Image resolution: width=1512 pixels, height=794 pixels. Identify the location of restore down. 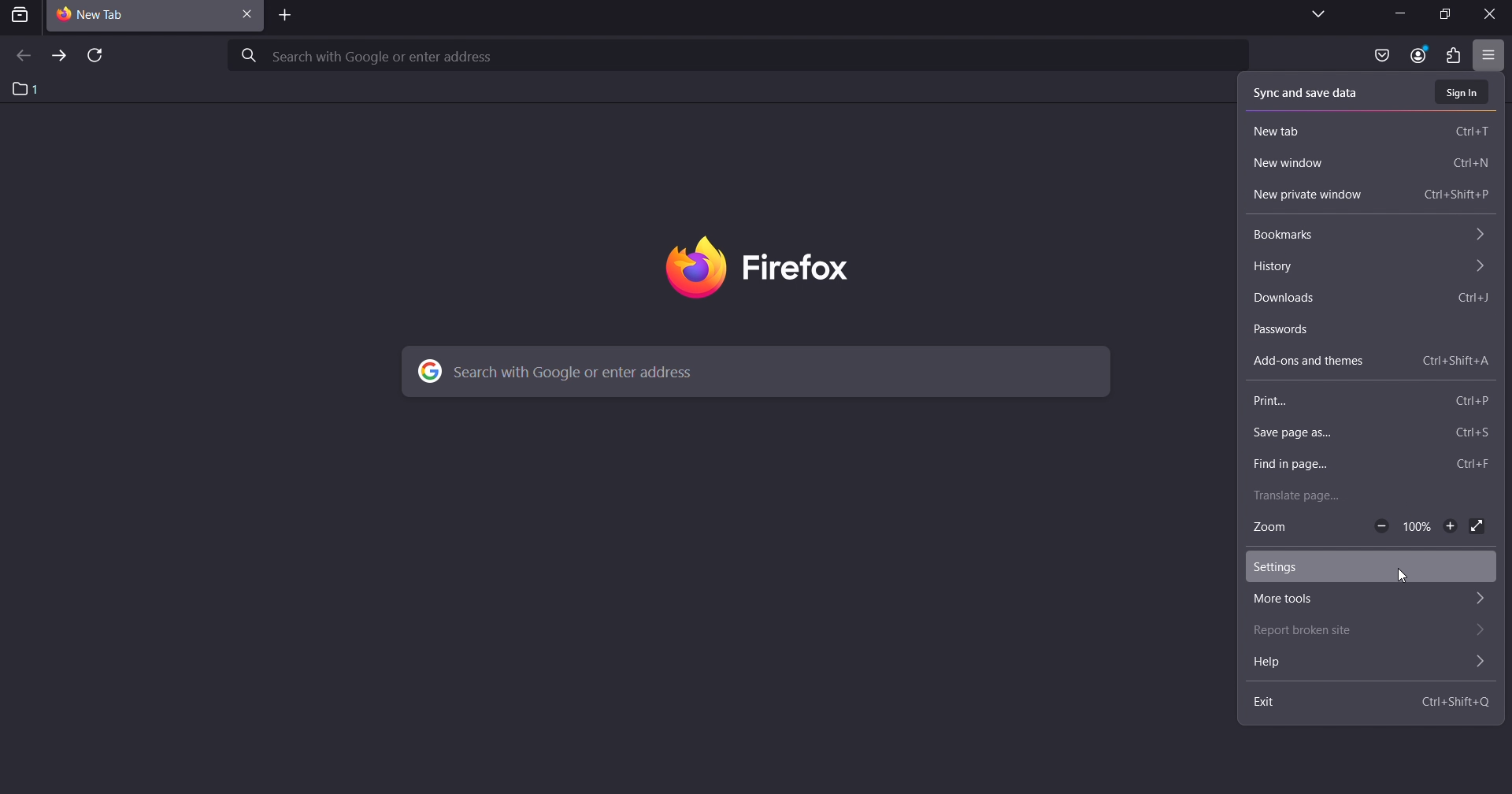
(1438, 14).